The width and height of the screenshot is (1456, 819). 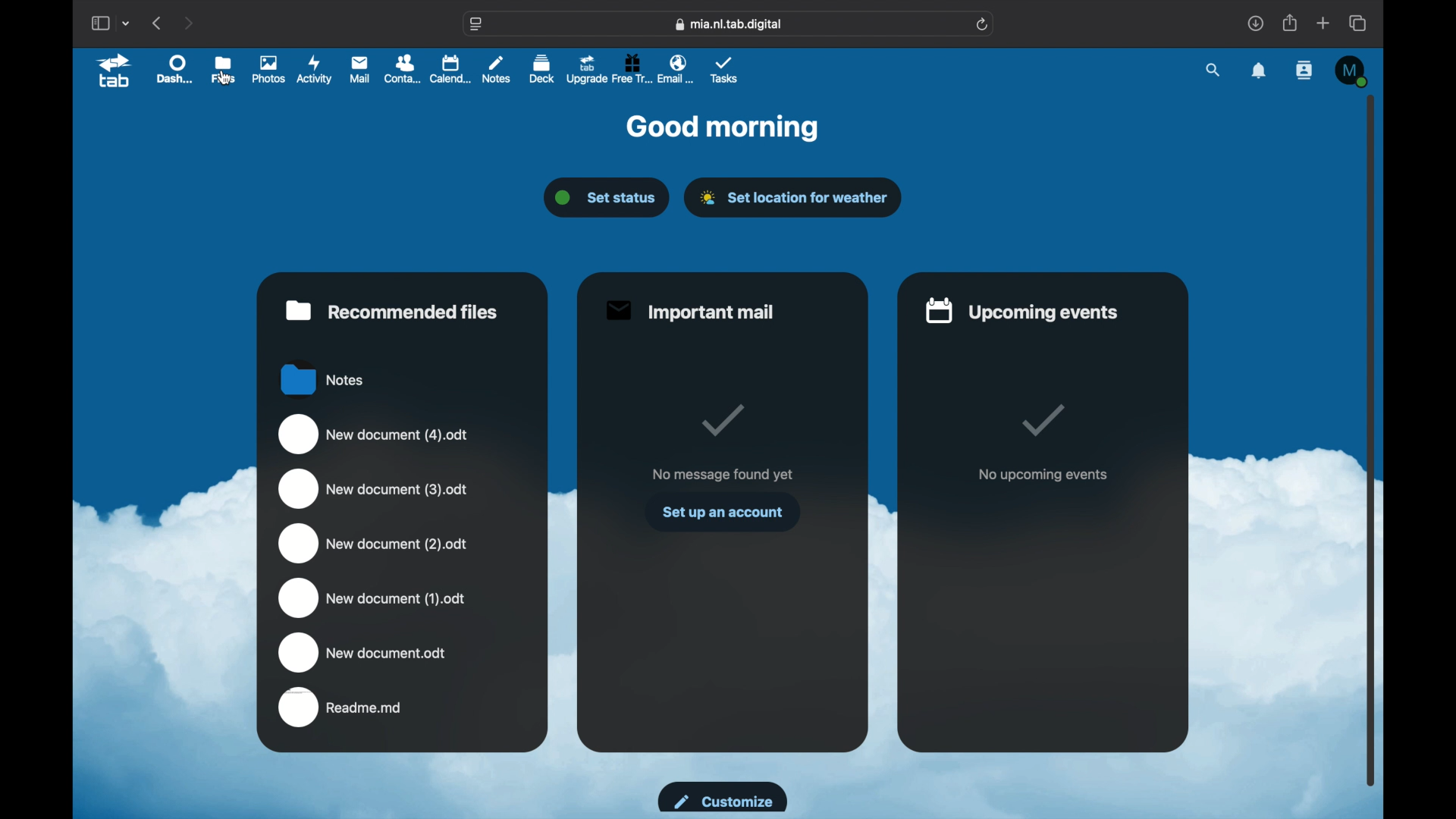 I want to click on photos, so click(x=268, y=71).